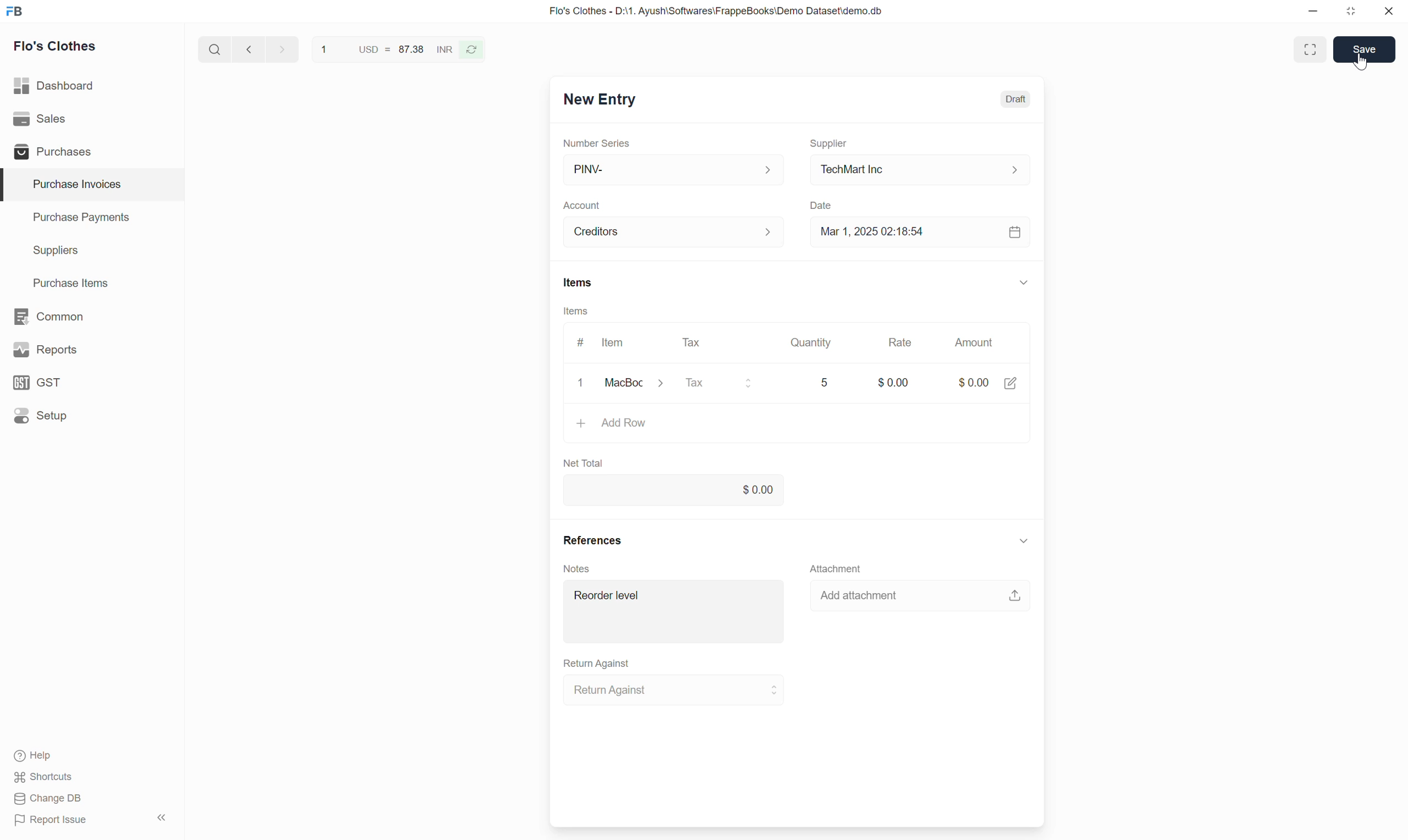  Describe the element at coordinates (579, 282) in the screenshot. I see `Items` at that location.